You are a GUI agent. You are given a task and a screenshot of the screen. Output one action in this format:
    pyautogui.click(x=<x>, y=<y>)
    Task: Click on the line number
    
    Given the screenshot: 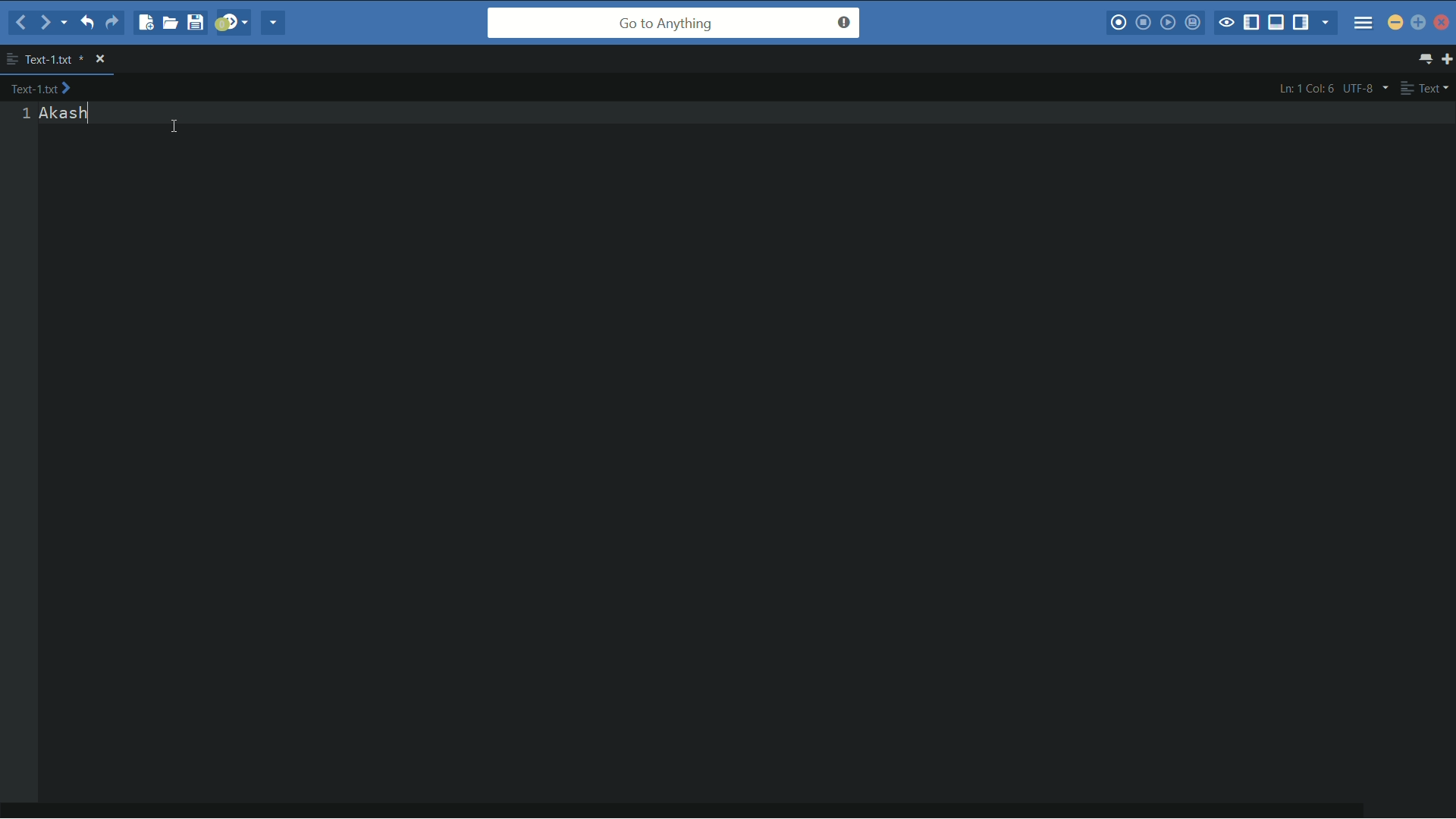 What is the action you would take?
    pyautogui.click(x=26, y=114)
    